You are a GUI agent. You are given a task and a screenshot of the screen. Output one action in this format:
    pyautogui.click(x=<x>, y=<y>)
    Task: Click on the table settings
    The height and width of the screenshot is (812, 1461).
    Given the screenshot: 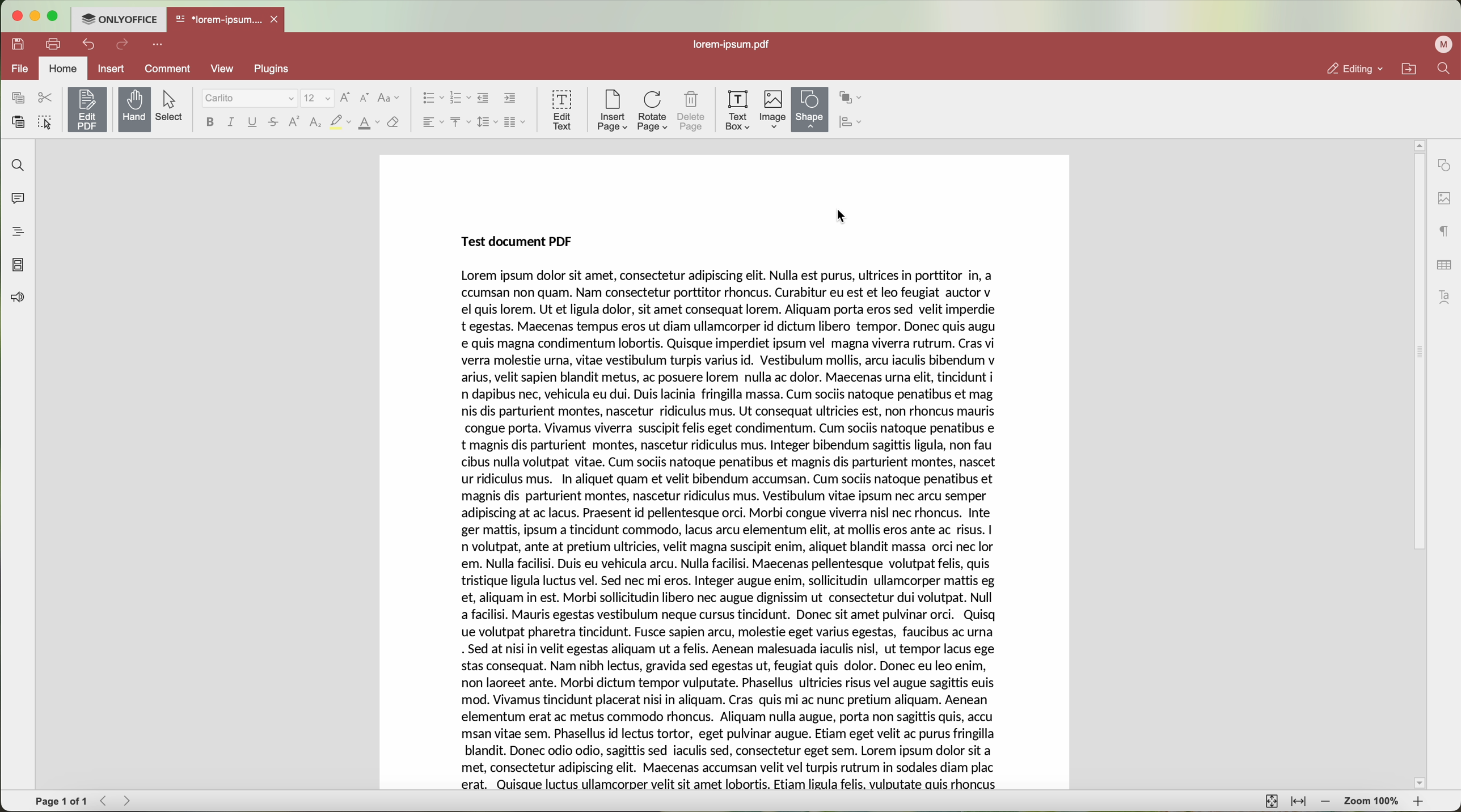 What is the action you would take?
    pyautogui.click(x=1443, y=263)
    